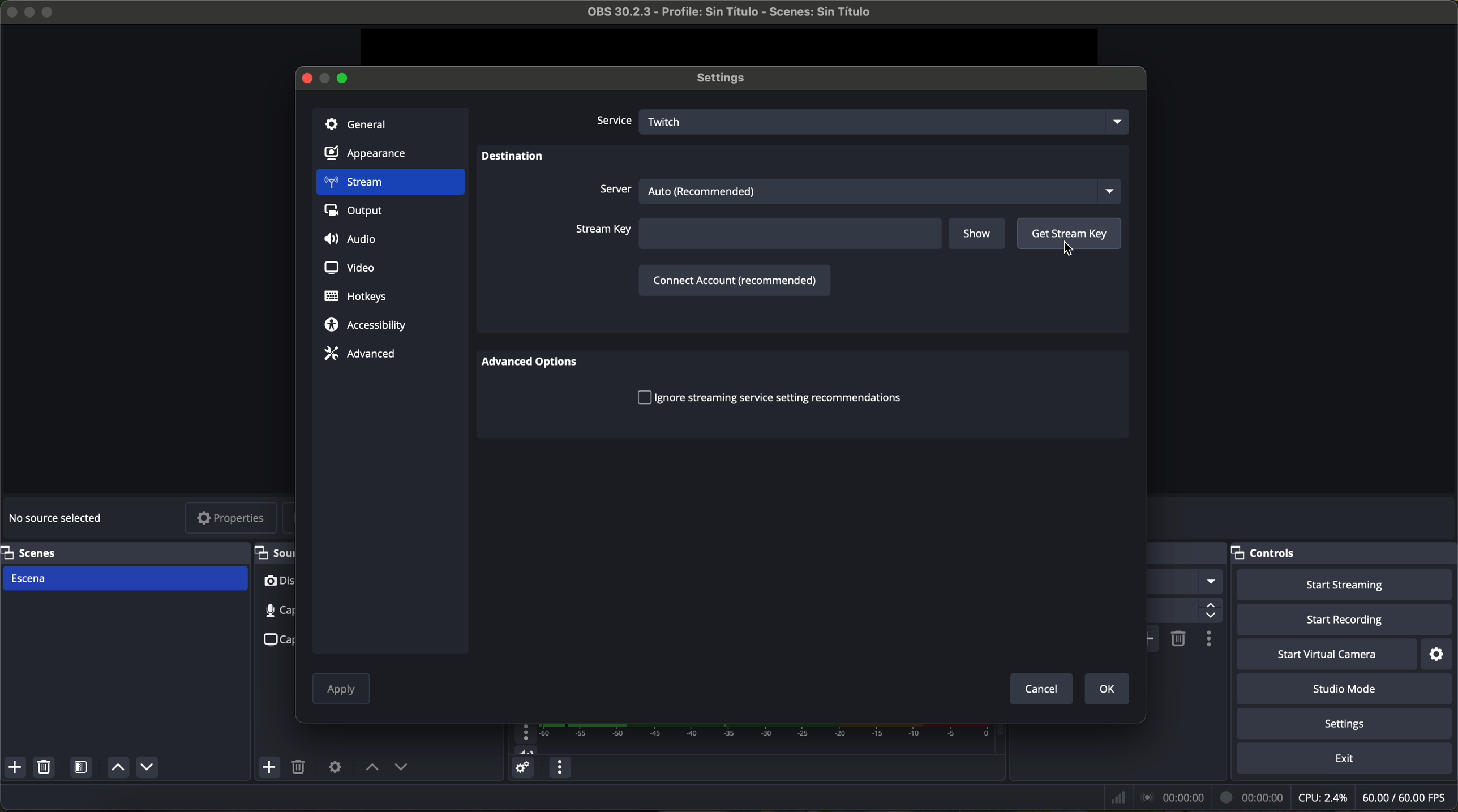 The image size is (1458, 812). Describe the element at coordinates (278, 583) in the screenshot. I see `video capture device` at that location.